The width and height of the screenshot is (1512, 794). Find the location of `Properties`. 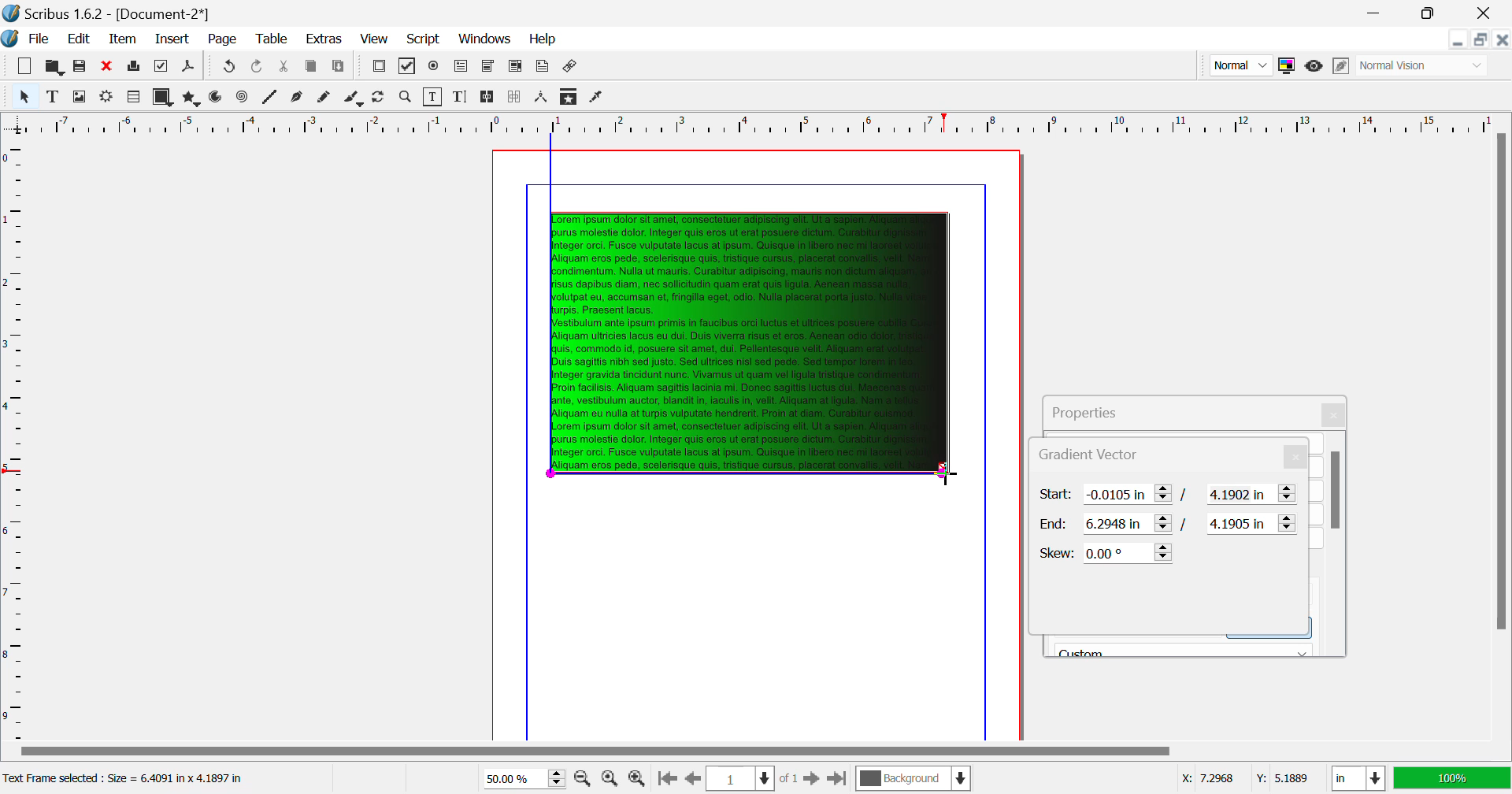

Properties is located at coordinates (1102, 410).